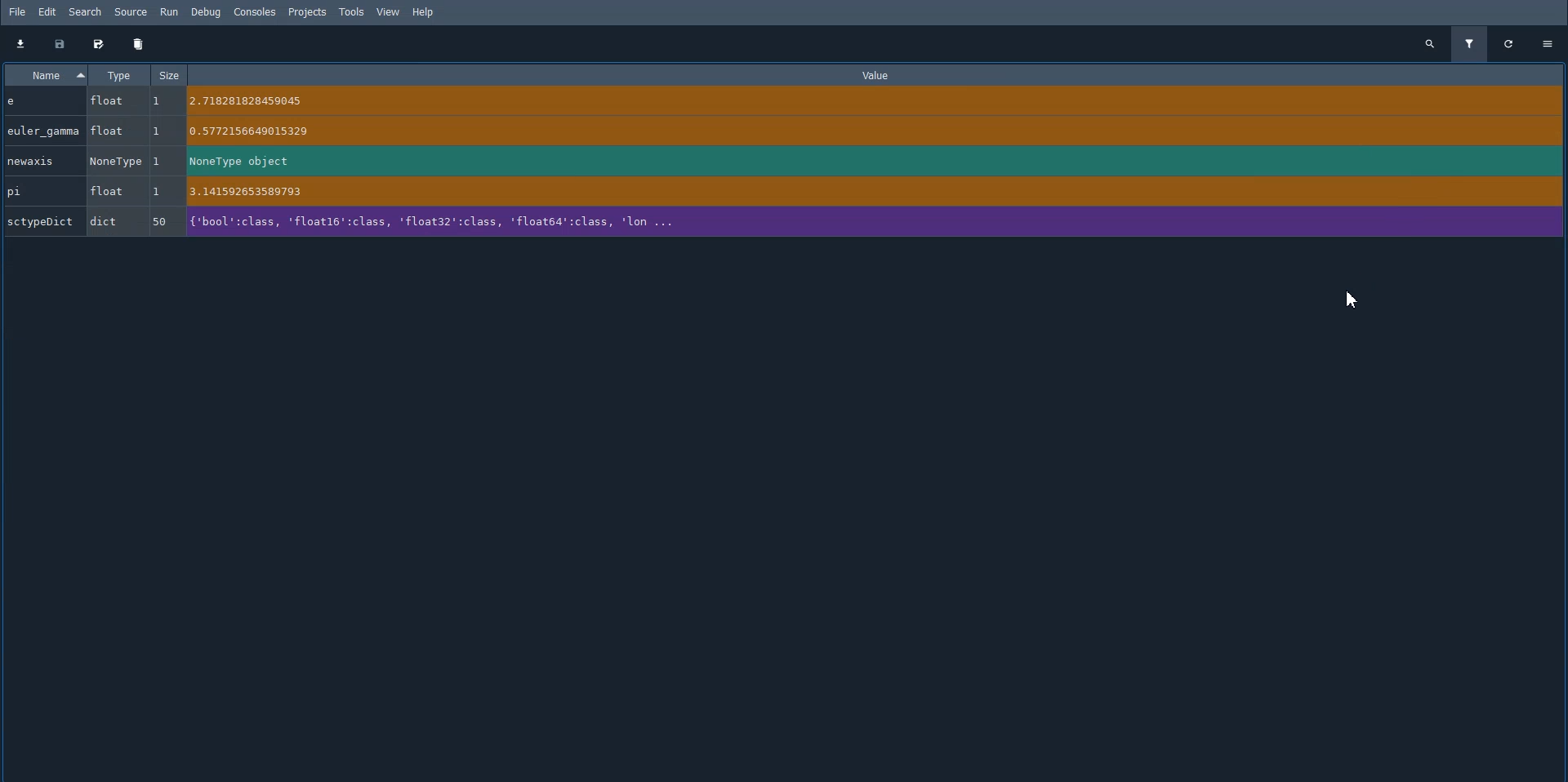 The height and width of the screenshot is (782, 1568). What do you see at coordinates (170, 12) in the screenshot?
I see `Run` at bounding box center [170, 12].